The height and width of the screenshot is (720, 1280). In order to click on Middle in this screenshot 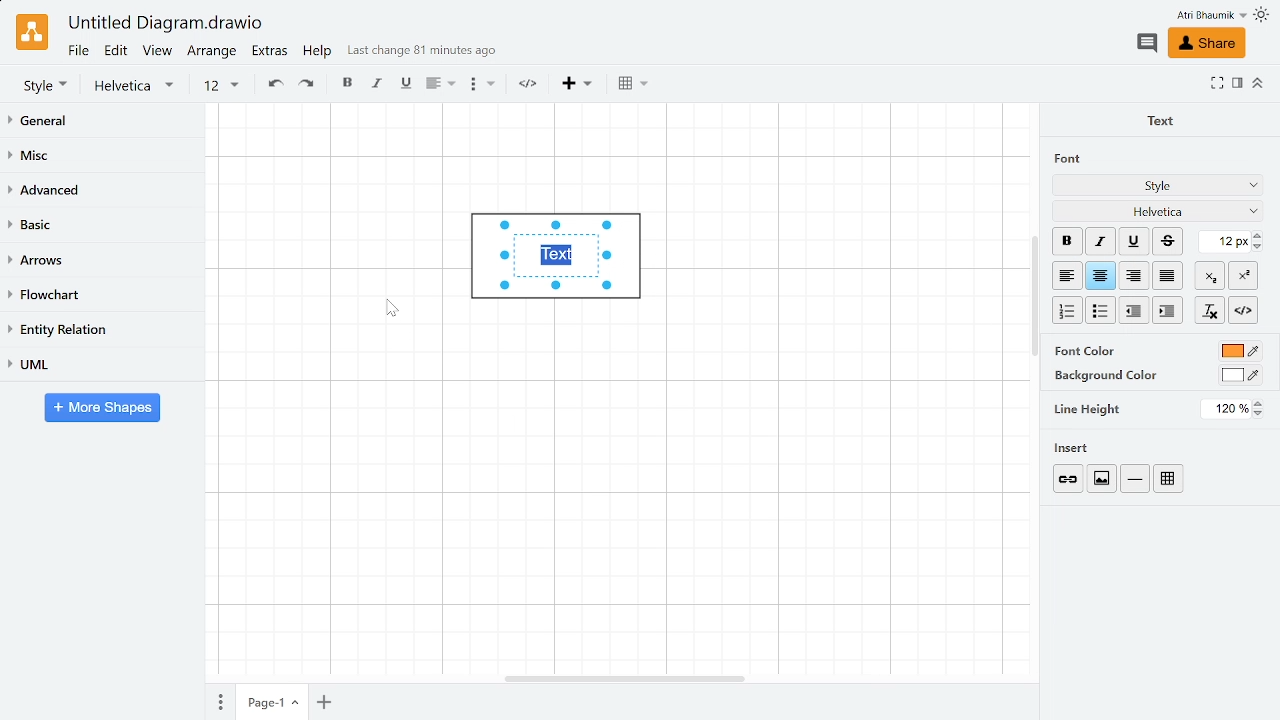, I will do `click(1170, 276)`.